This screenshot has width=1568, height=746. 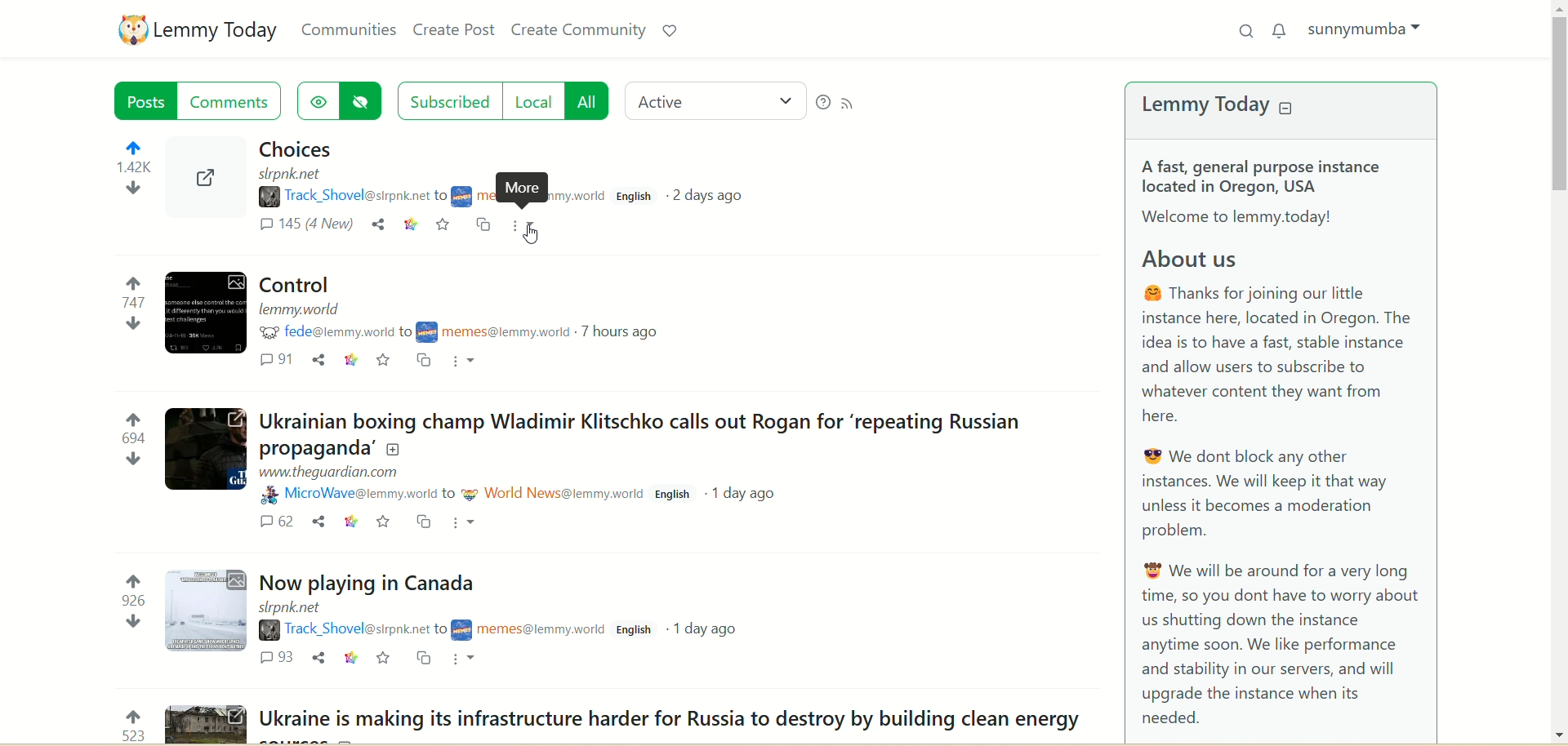 What do you see at coordinates (853, 106) in the screenshot?
I see `RSS` at bounding box center [853, 106].